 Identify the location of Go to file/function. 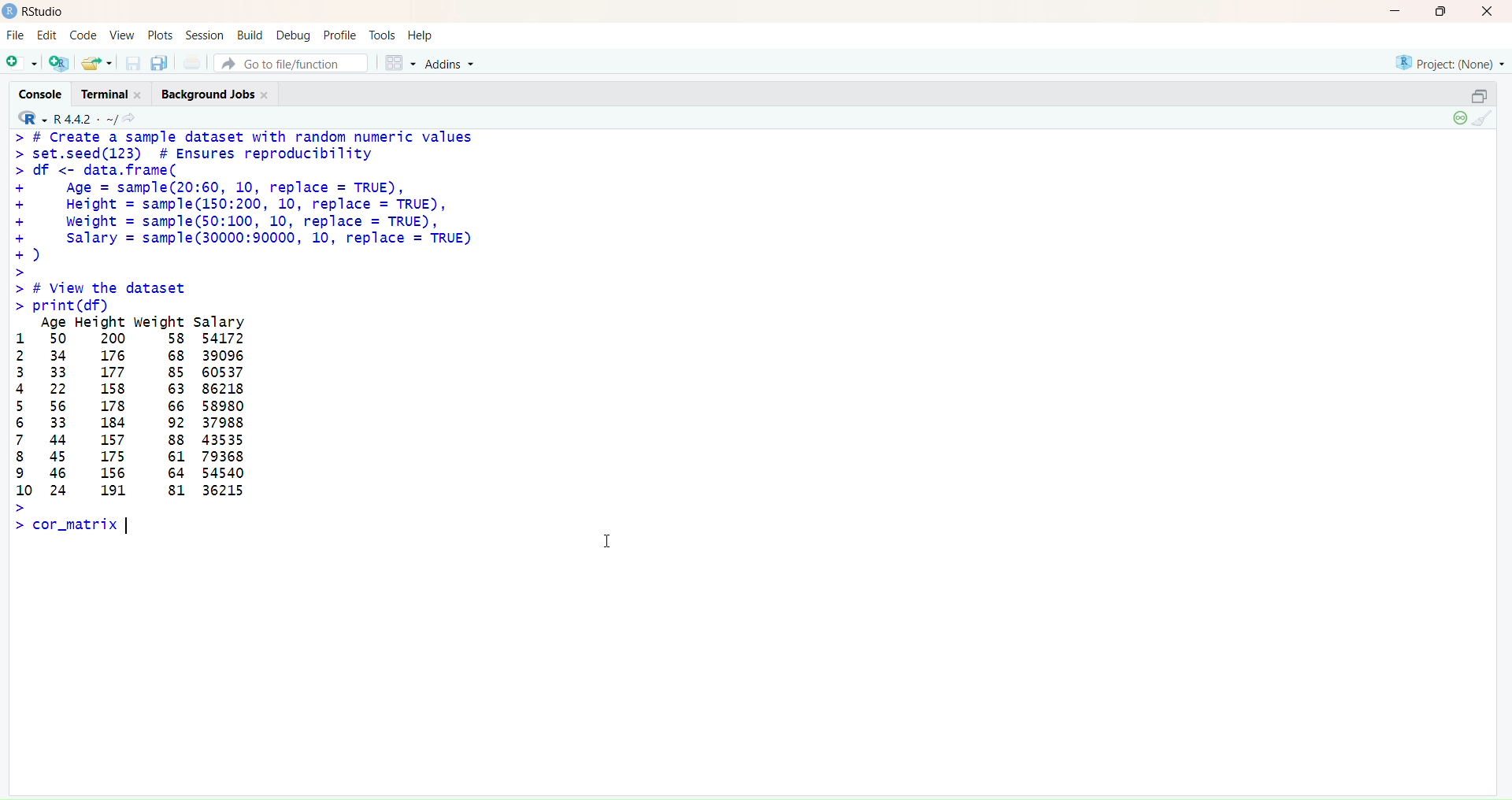
(290, 64).